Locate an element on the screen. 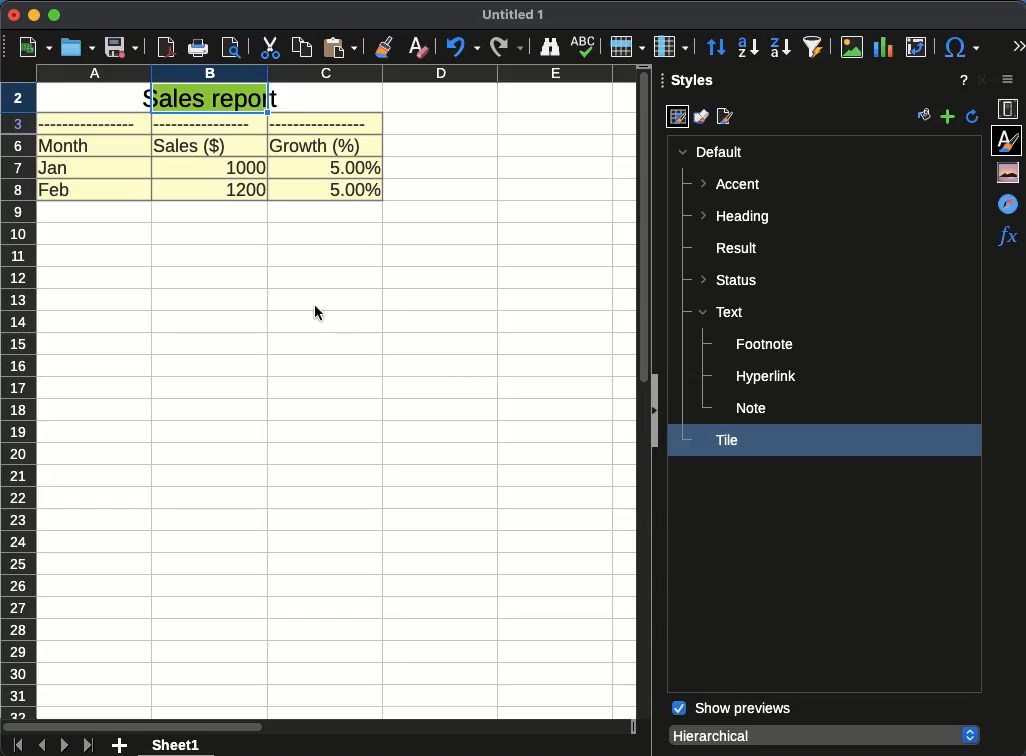  minimize is located at coordinates (33, 16).